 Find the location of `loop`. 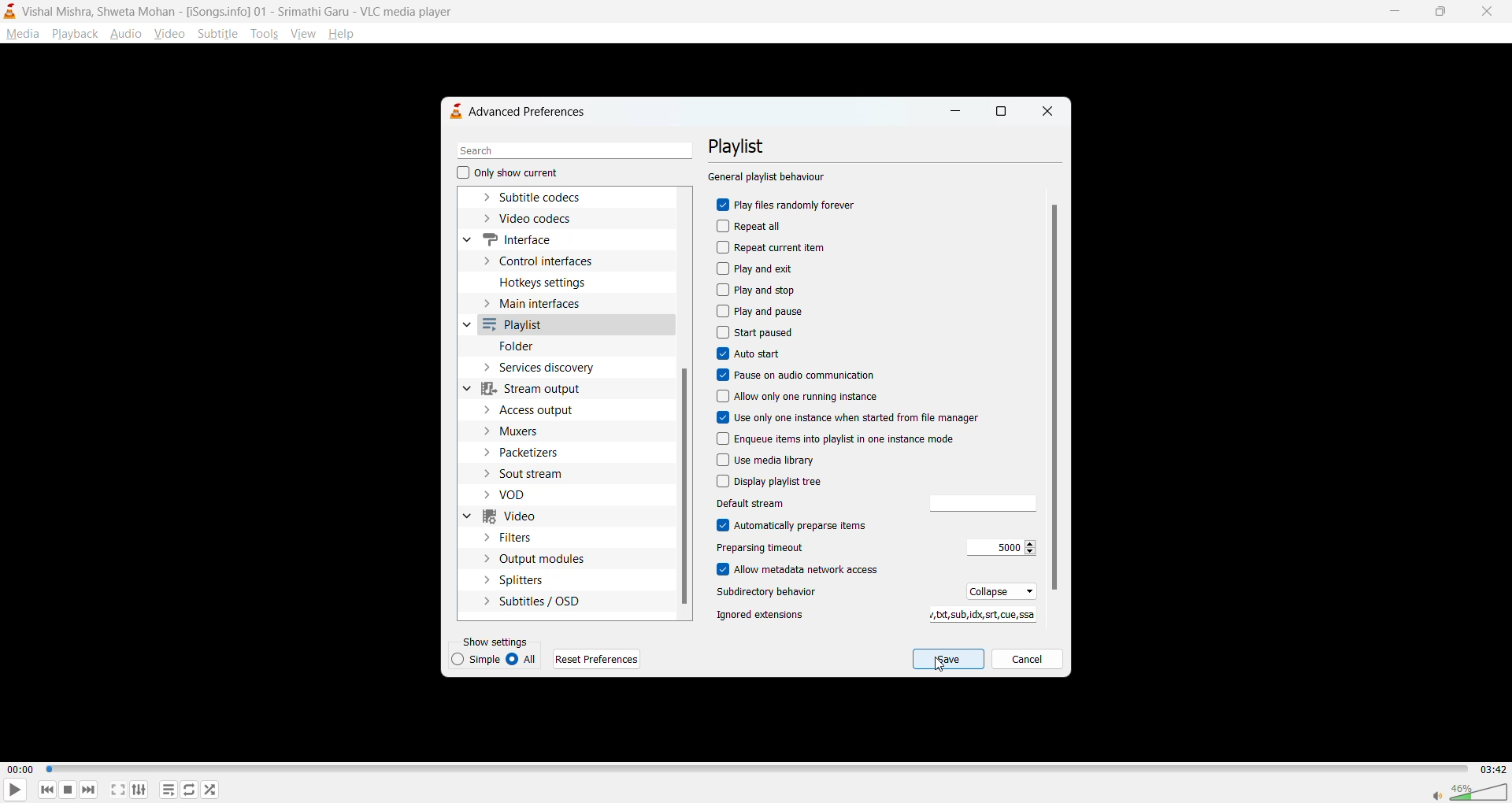

loop is located at coordinates (187, 789).